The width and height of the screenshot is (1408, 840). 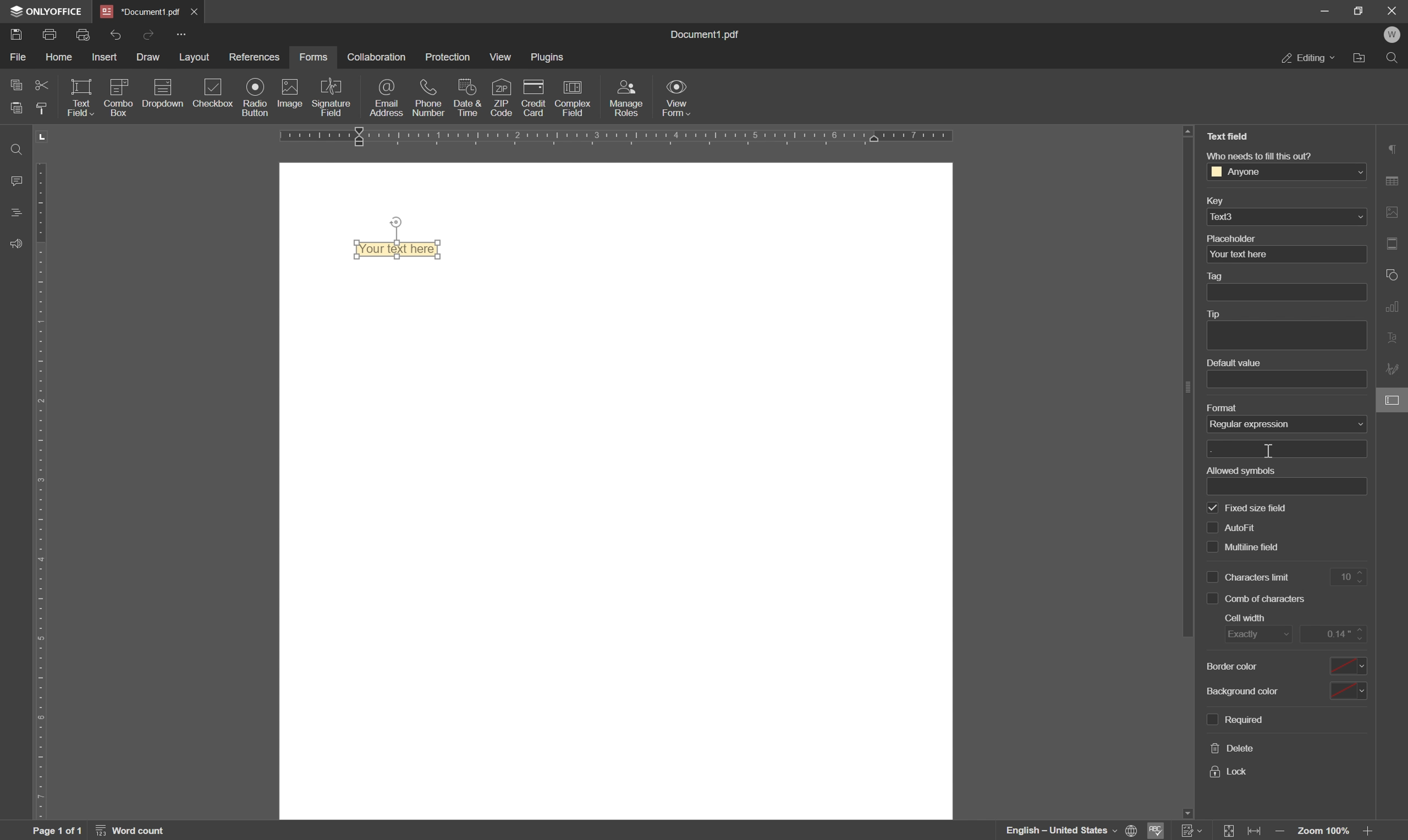 What do you see at coordinates (1294, 486) in the screenshot?
I see `textbox` at bounding box center [1294, 486].